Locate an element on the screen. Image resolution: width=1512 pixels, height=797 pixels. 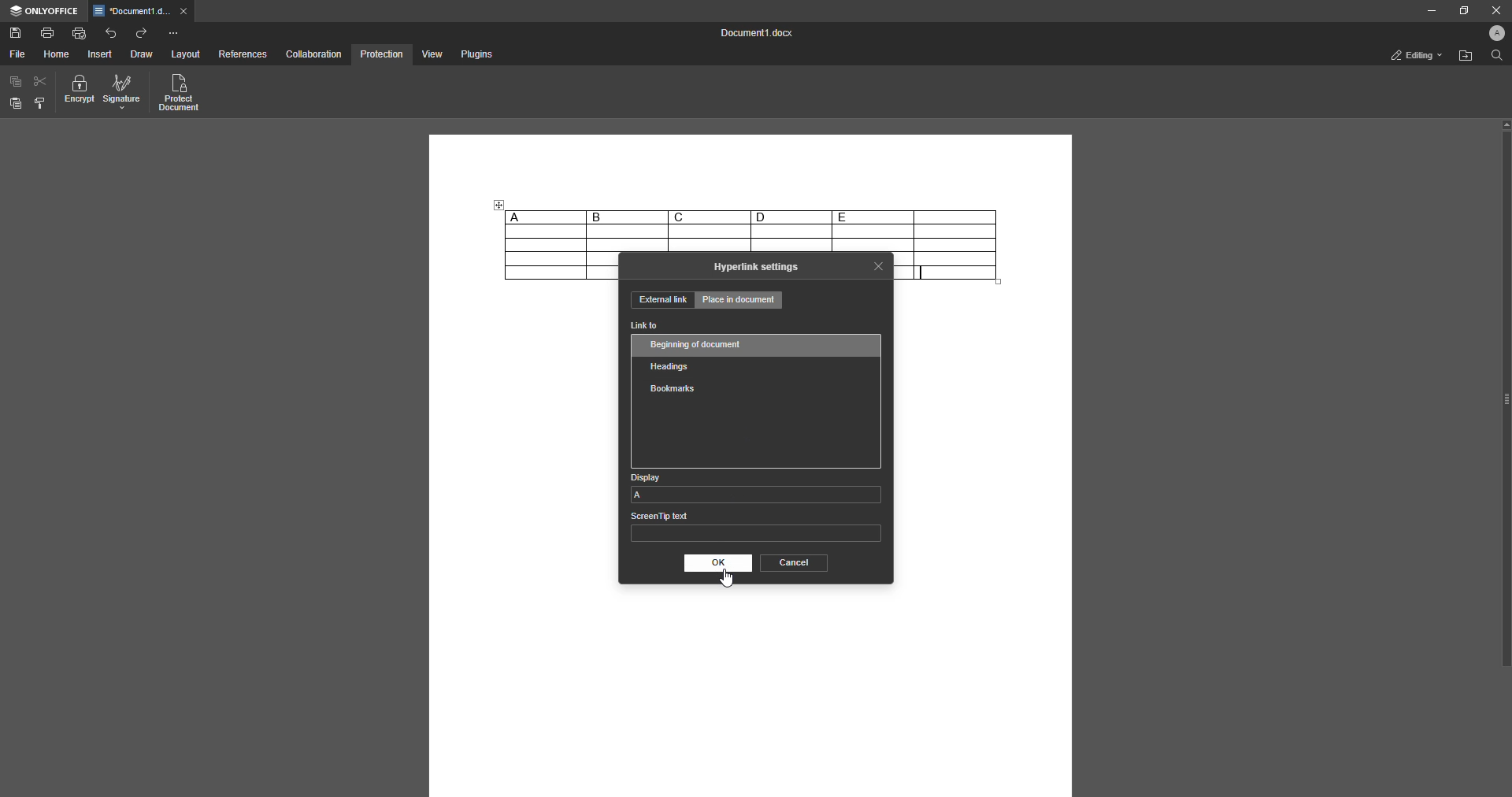
A is located at coordinates (544, 217).